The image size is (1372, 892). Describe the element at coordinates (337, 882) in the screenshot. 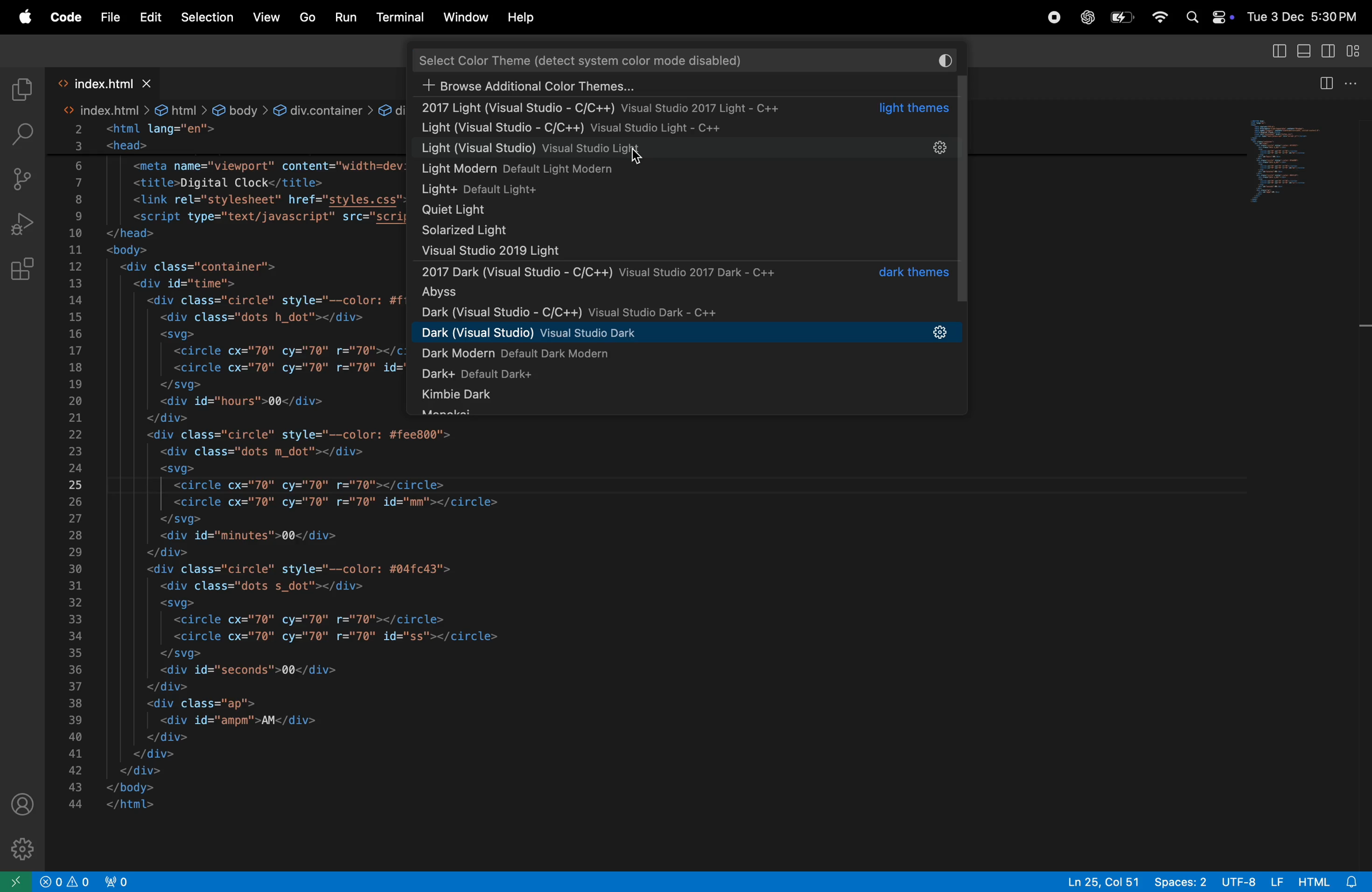

I see `waiting or second chord` at that location.